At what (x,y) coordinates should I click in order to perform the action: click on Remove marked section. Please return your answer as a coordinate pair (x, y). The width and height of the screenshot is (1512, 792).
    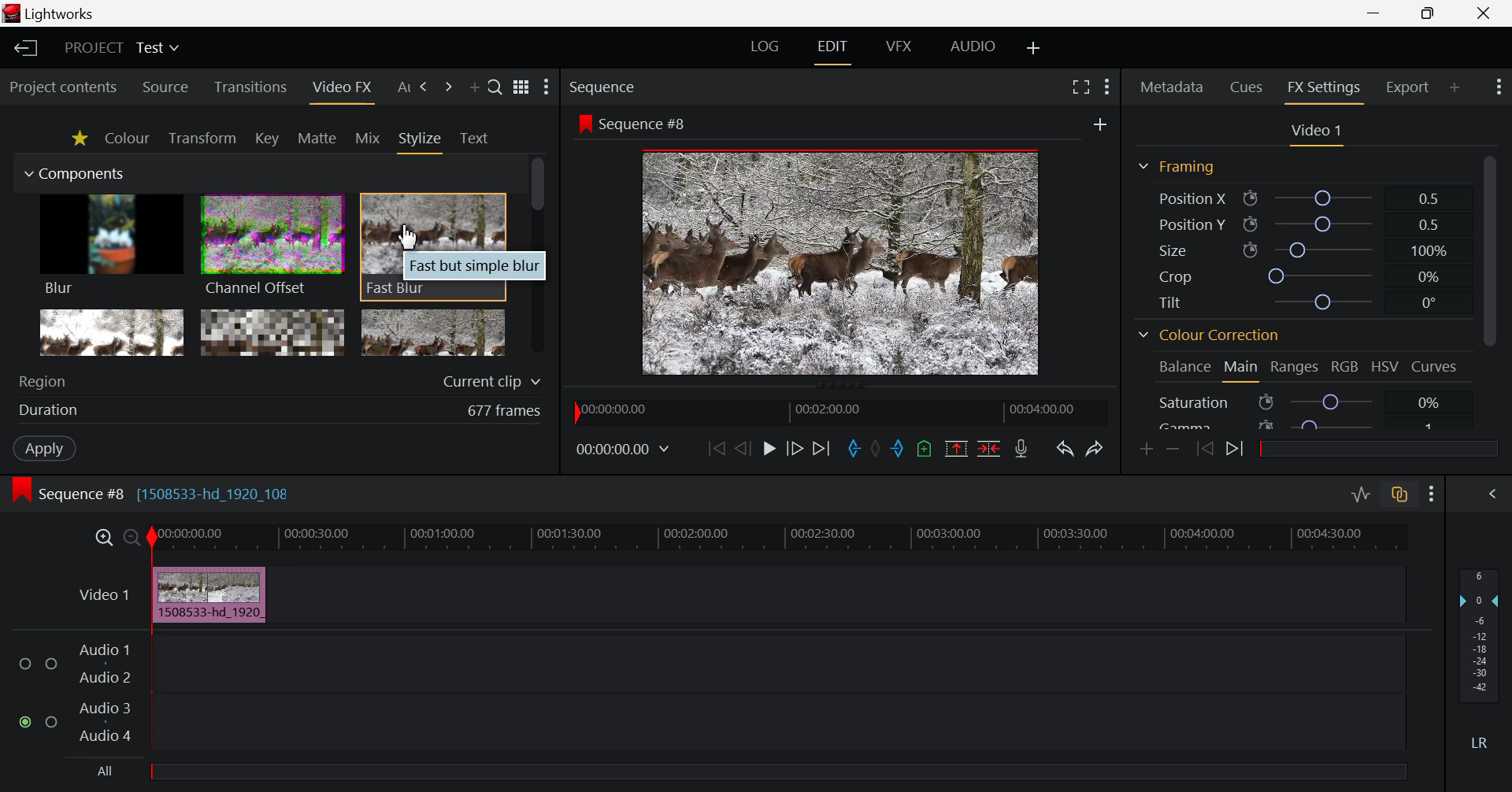
    Looking at the image, I should click on (958, 450).